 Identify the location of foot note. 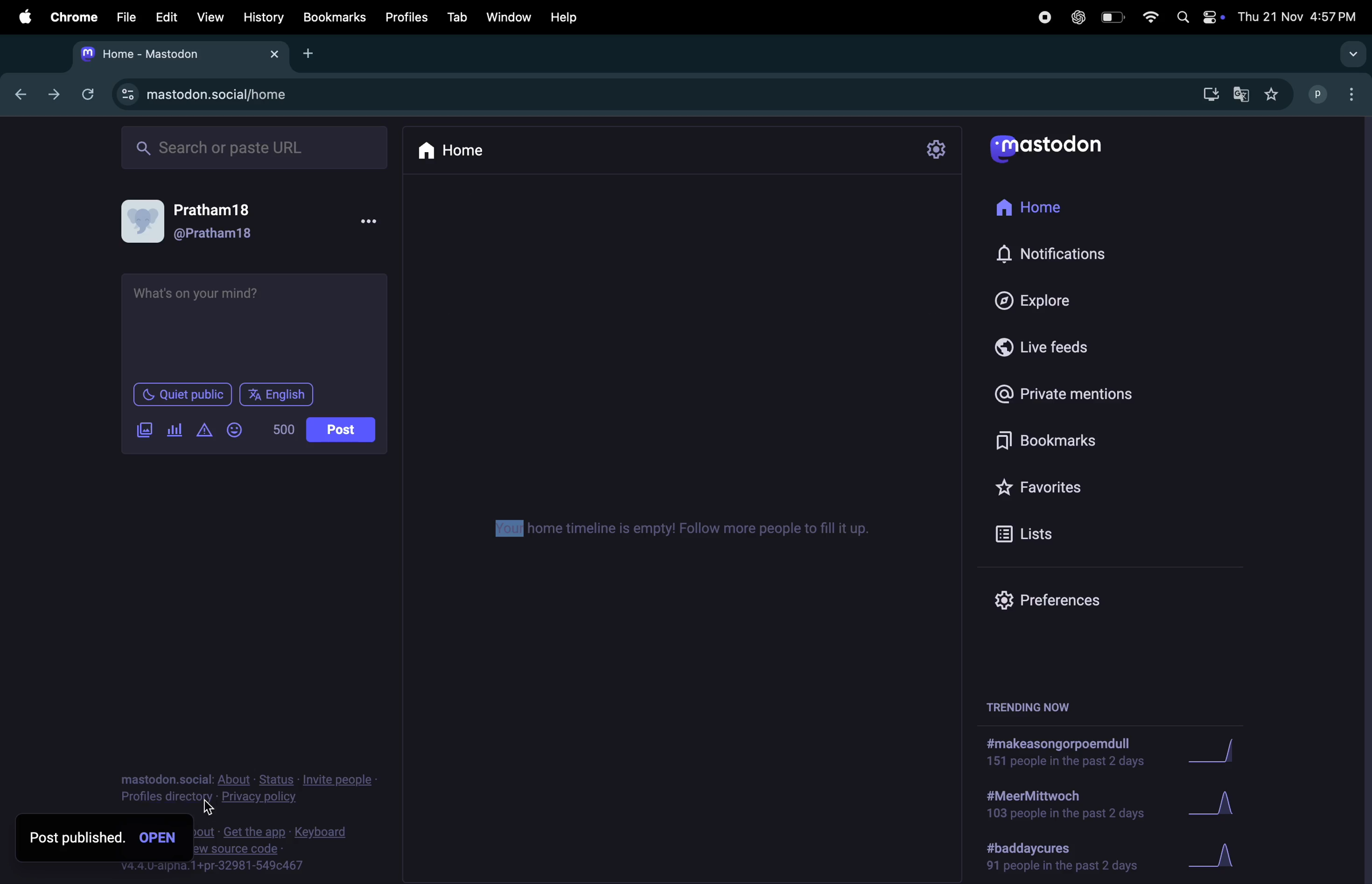
(280, 849).